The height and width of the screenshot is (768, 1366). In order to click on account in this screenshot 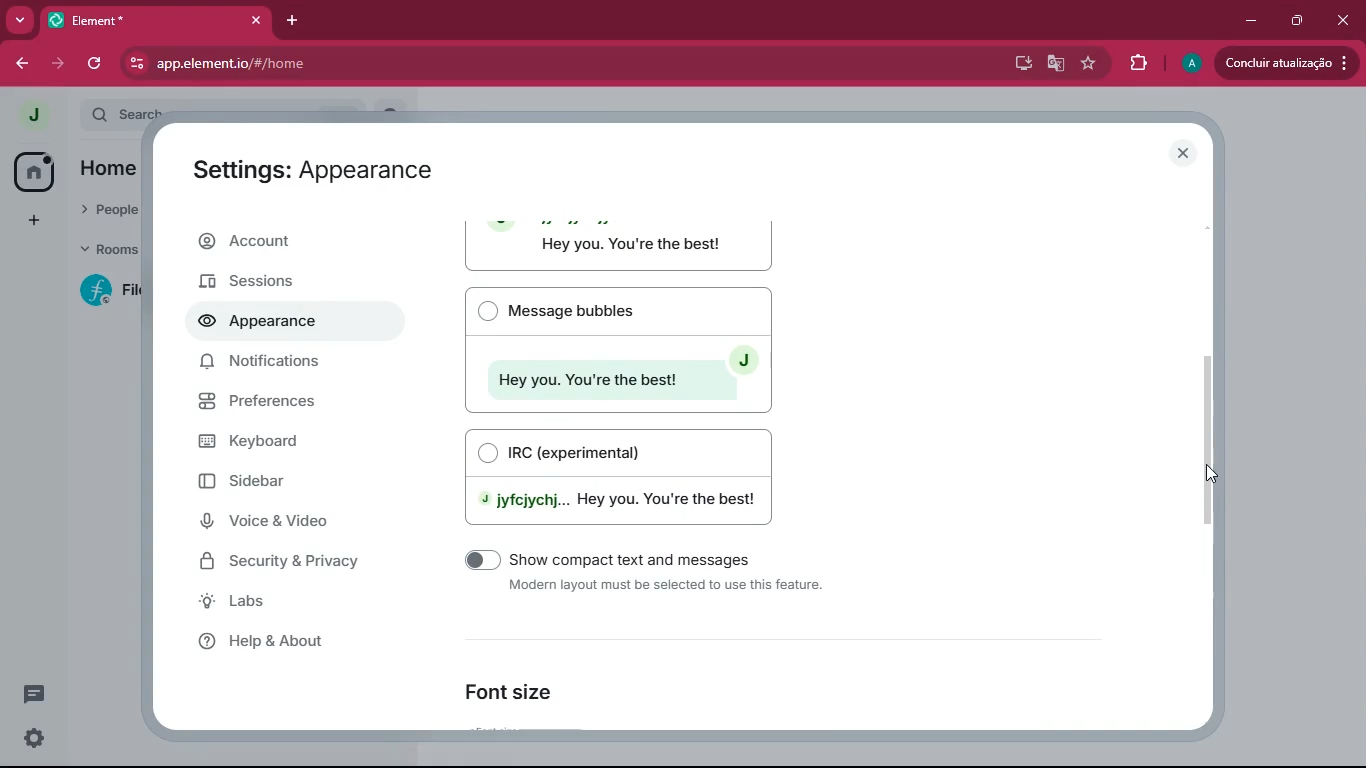, I will do `click(286, 243)`.